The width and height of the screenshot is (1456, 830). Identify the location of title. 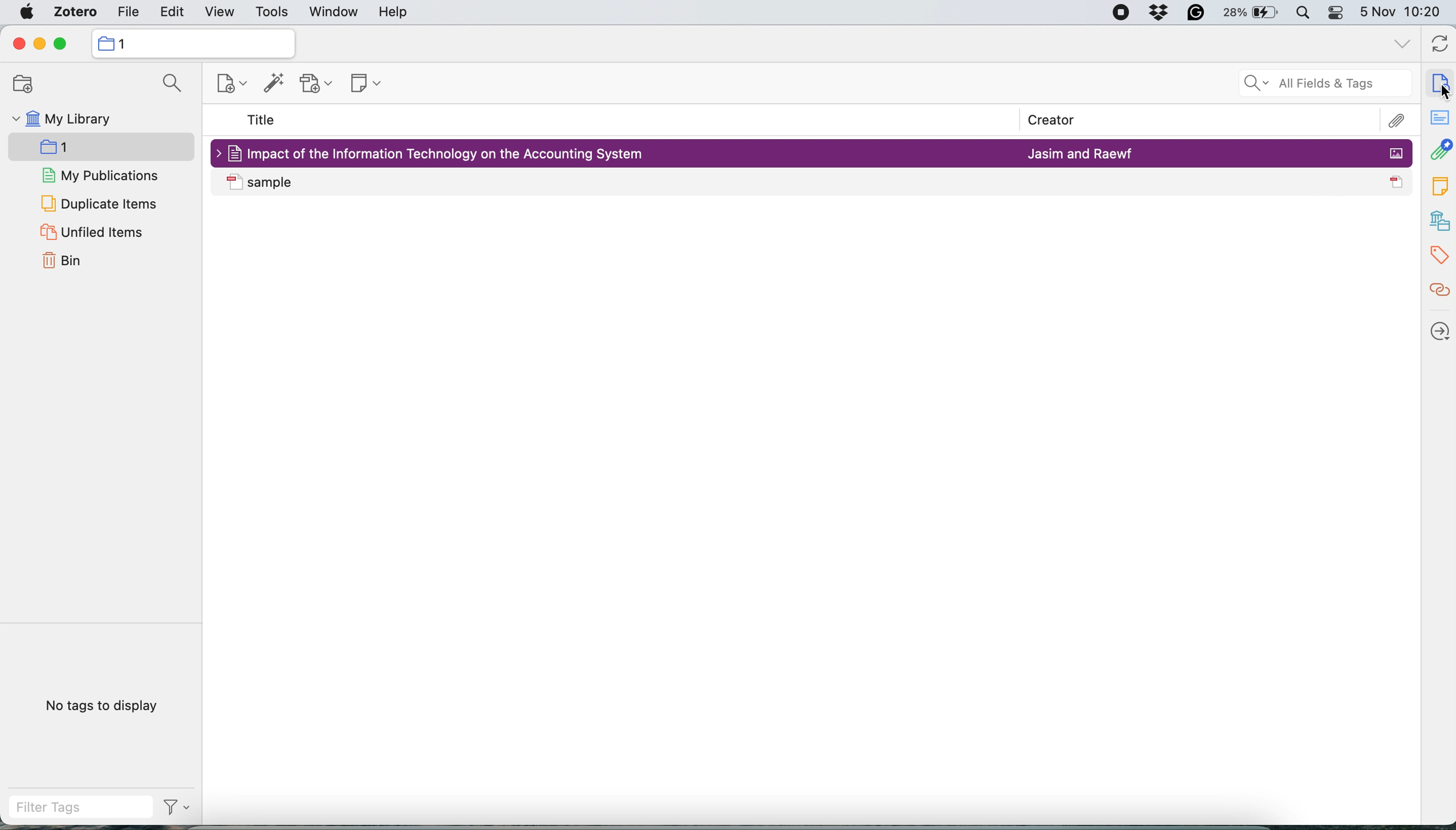
(262, 122).